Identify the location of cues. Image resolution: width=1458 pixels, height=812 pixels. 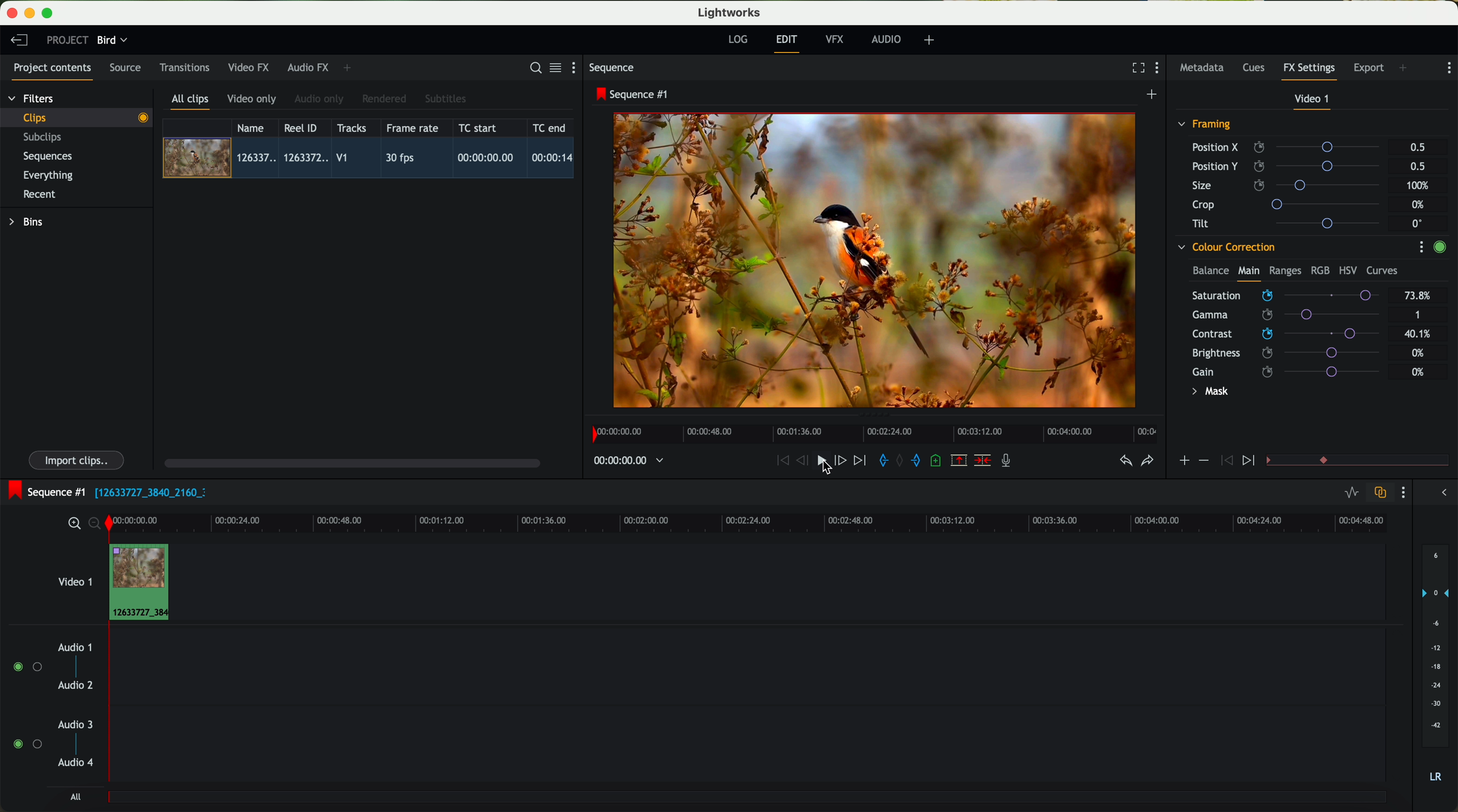
(1257, 68).